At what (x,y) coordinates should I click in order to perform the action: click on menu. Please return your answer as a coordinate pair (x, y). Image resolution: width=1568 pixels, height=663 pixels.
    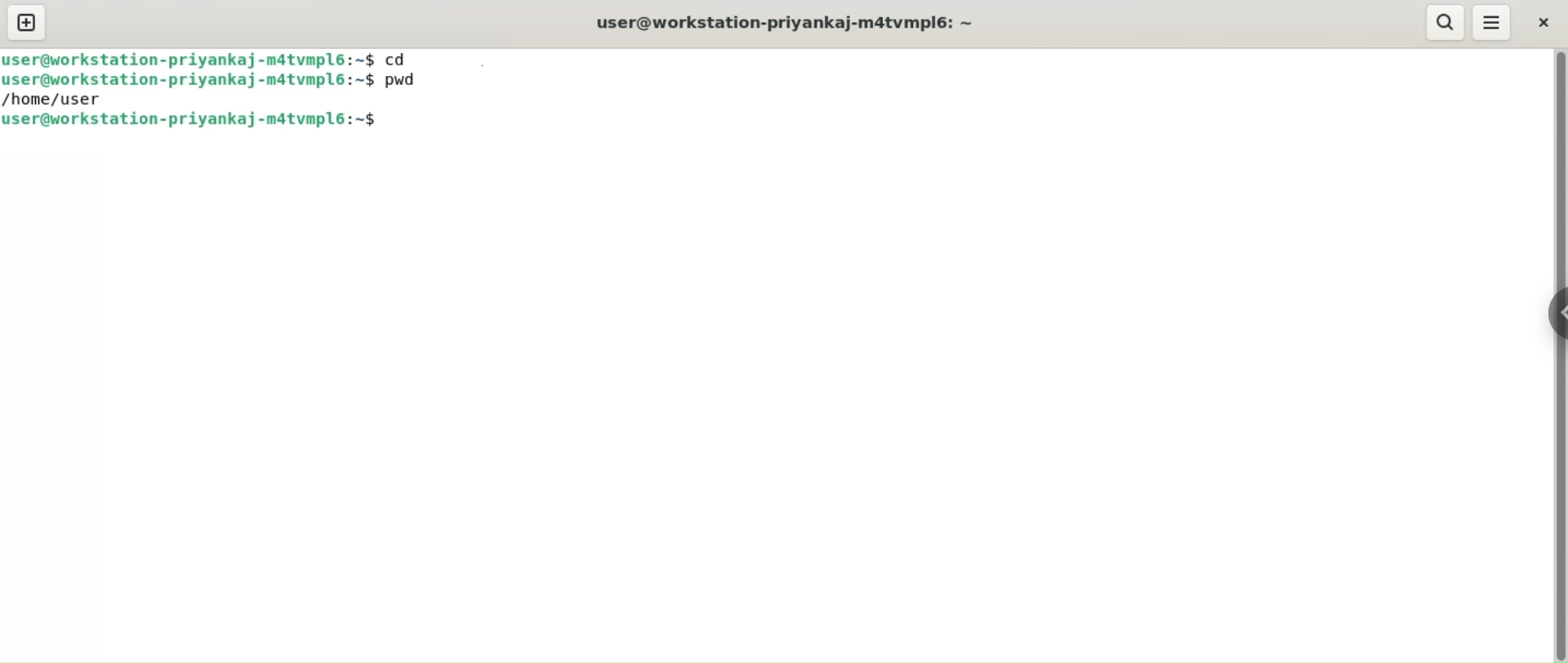
    Looking at the image, I should click on (1492, 22).